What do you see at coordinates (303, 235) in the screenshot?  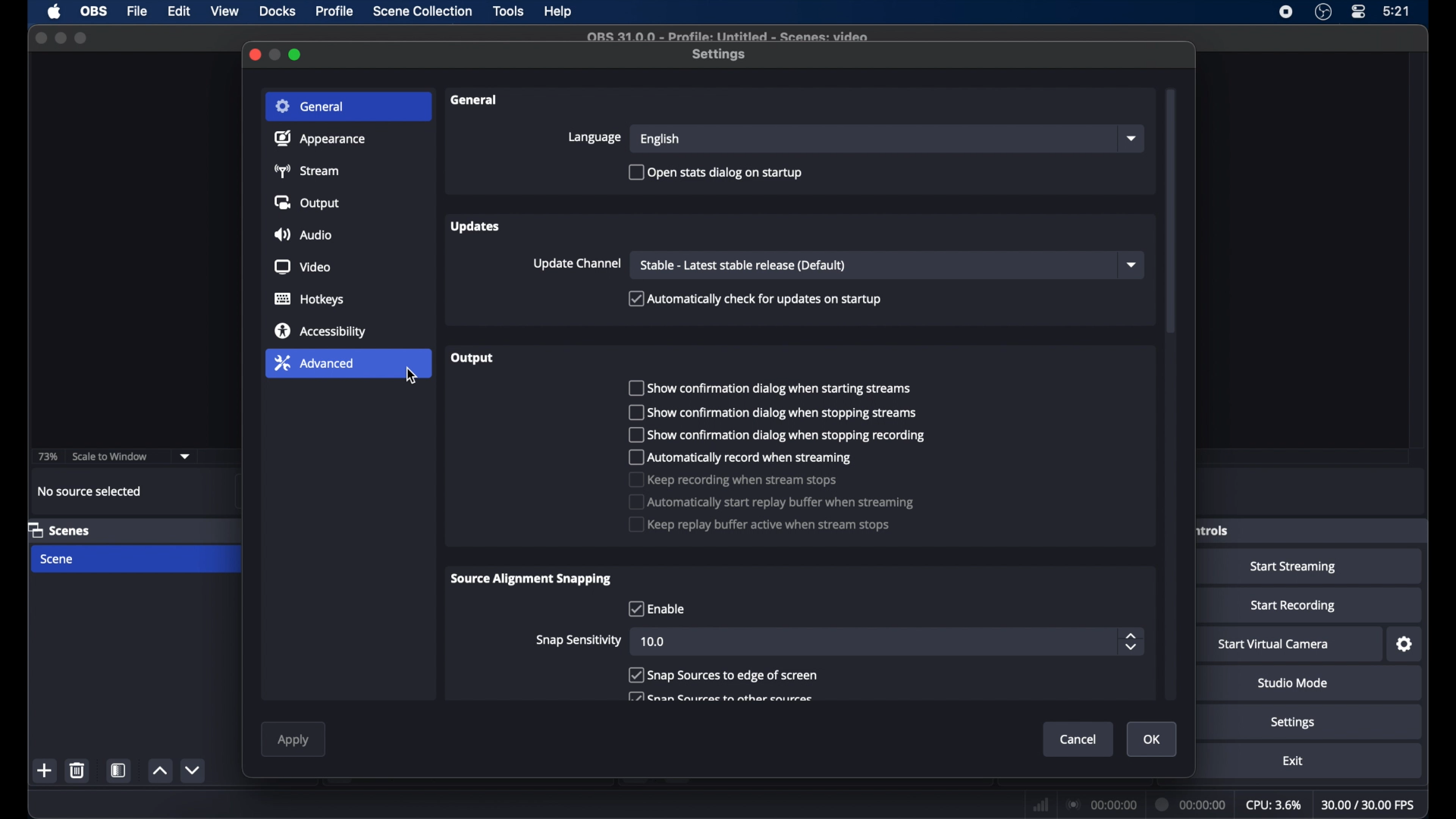 I see `audio` at bounding box center [303, 235].